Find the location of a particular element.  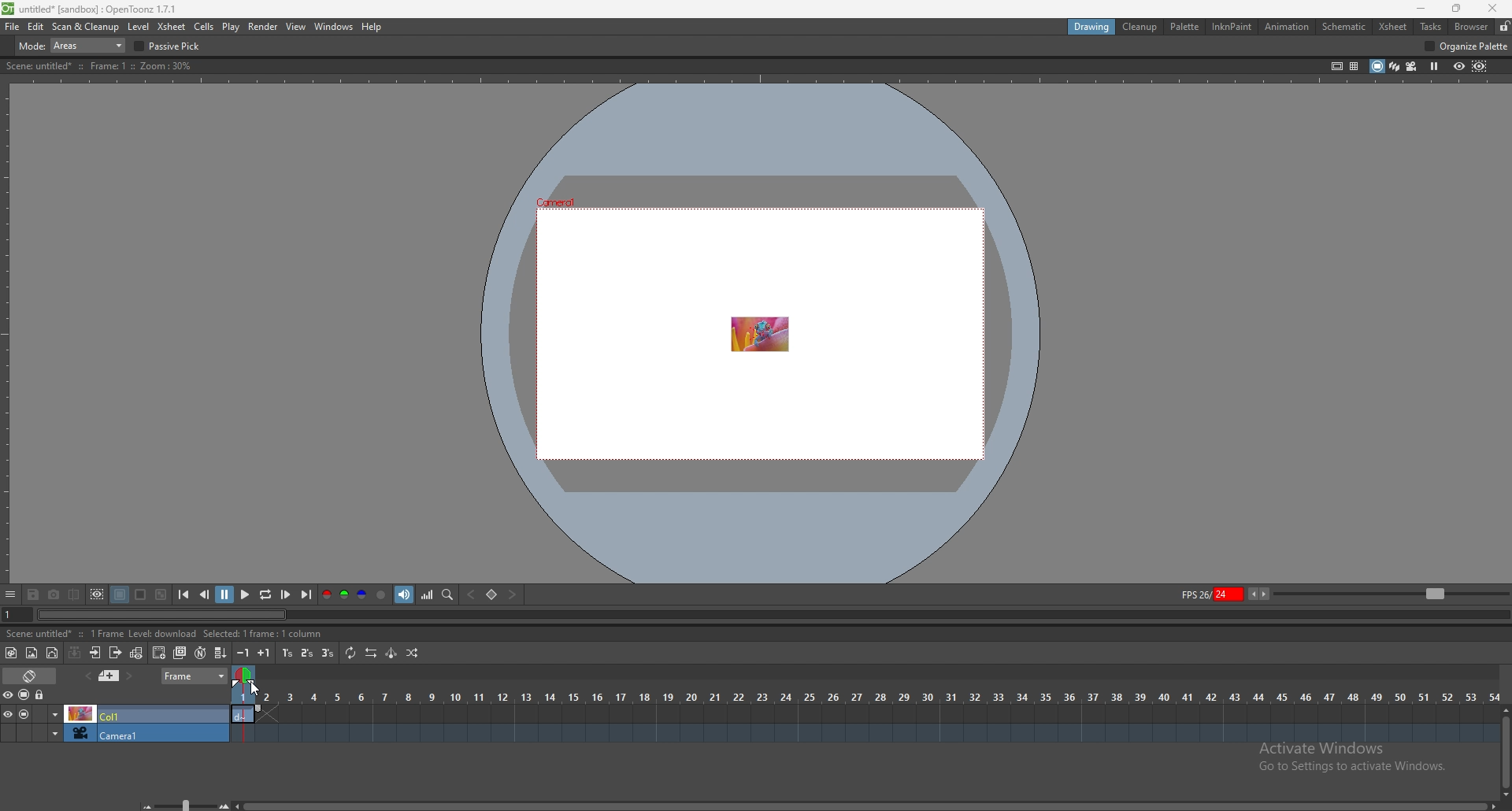

lock is located at coordinates (1504, 26).